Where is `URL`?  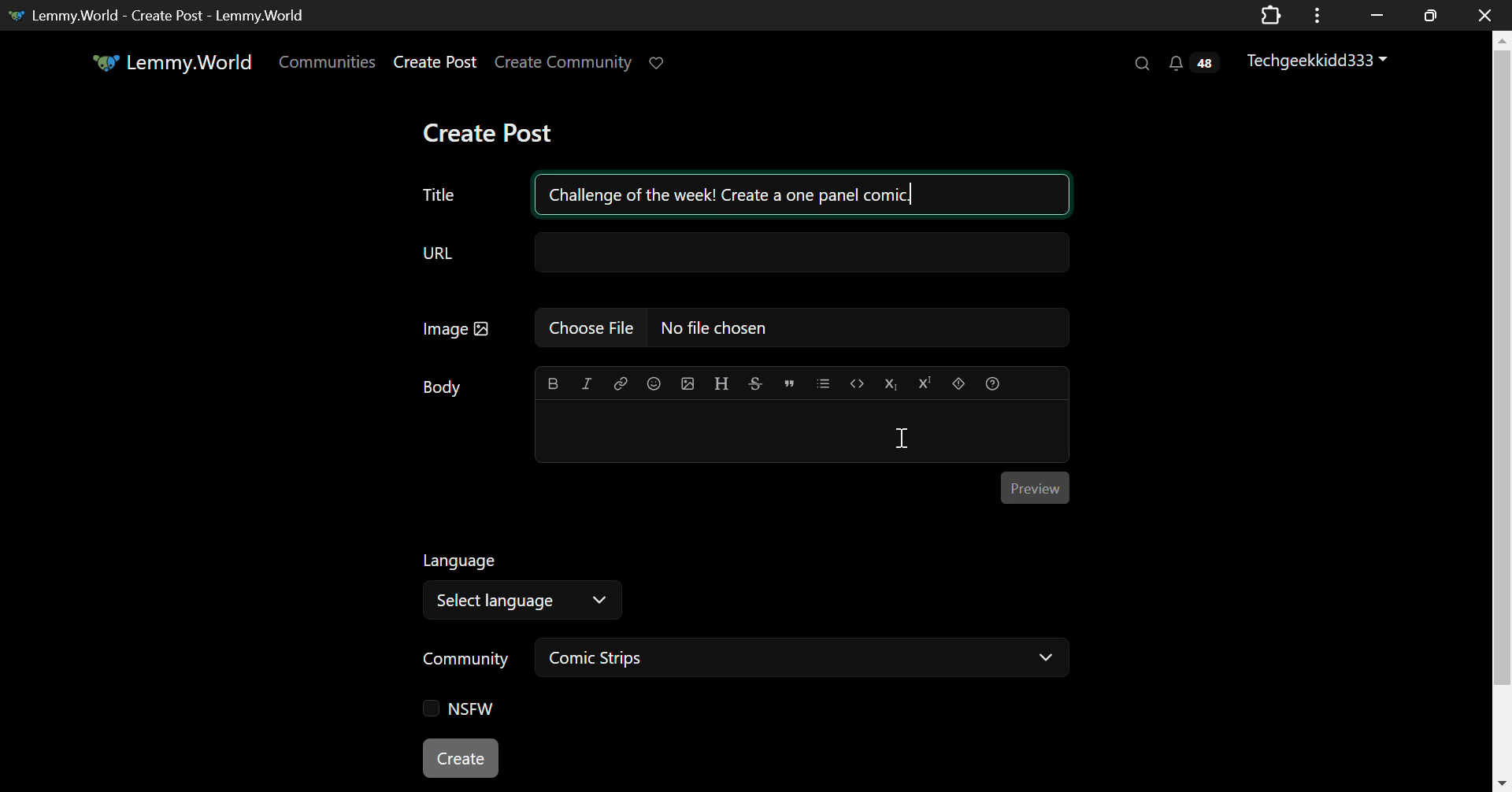 URL is located at coordinates (743, 257).